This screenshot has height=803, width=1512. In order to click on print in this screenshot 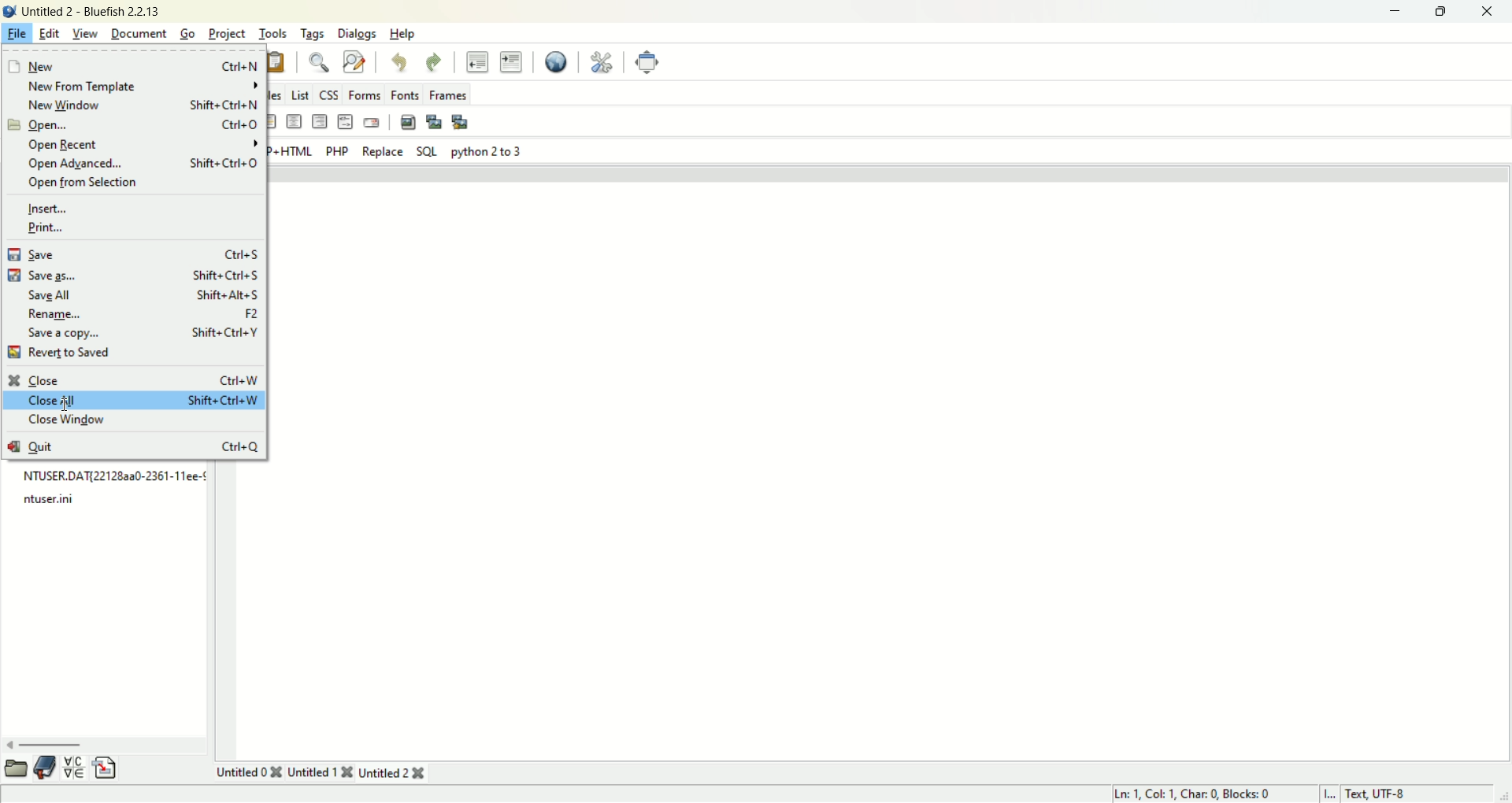, I will do `click(46, 228)`.